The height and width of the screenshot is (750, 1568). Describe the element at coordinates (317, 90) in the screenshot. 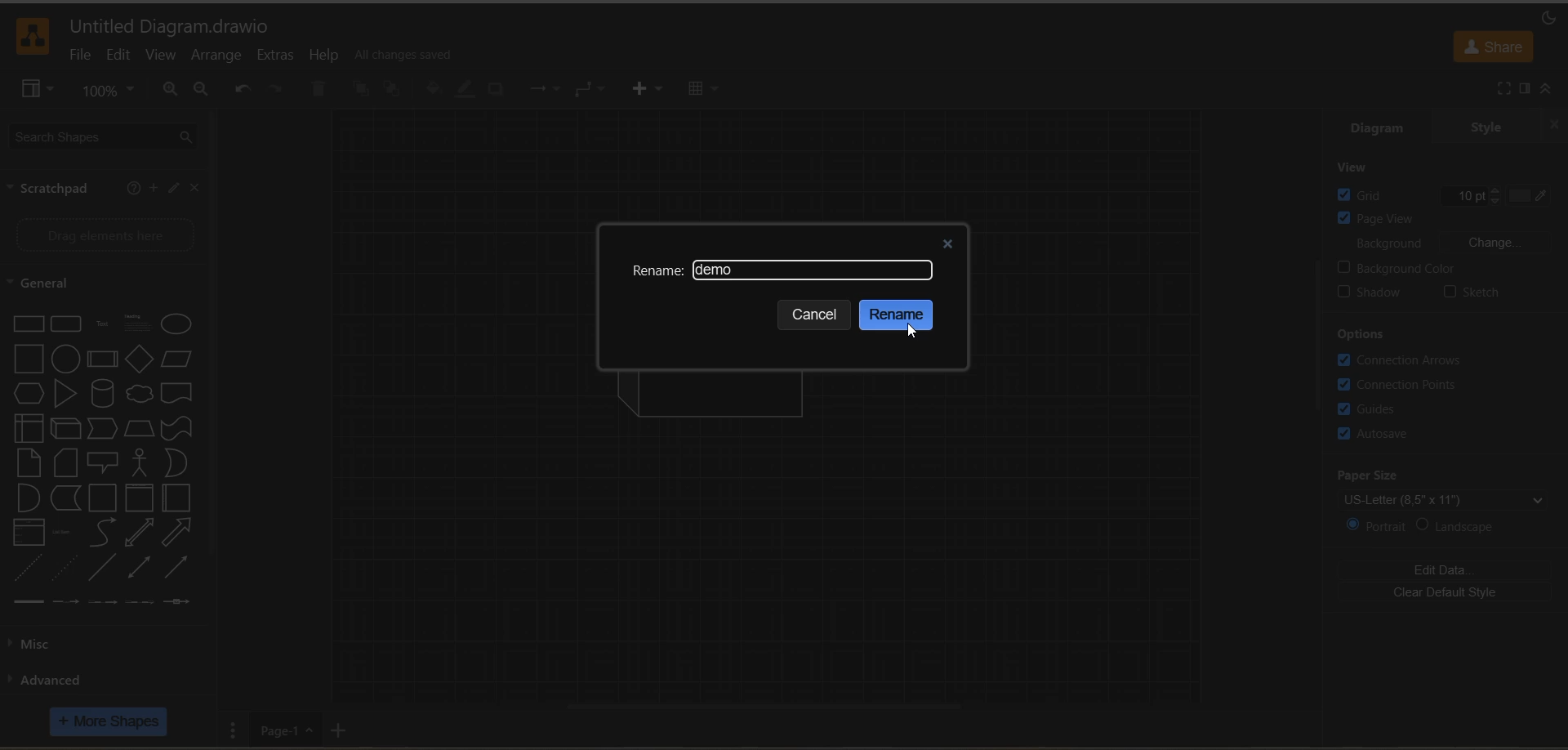

I see `delete` at that location.